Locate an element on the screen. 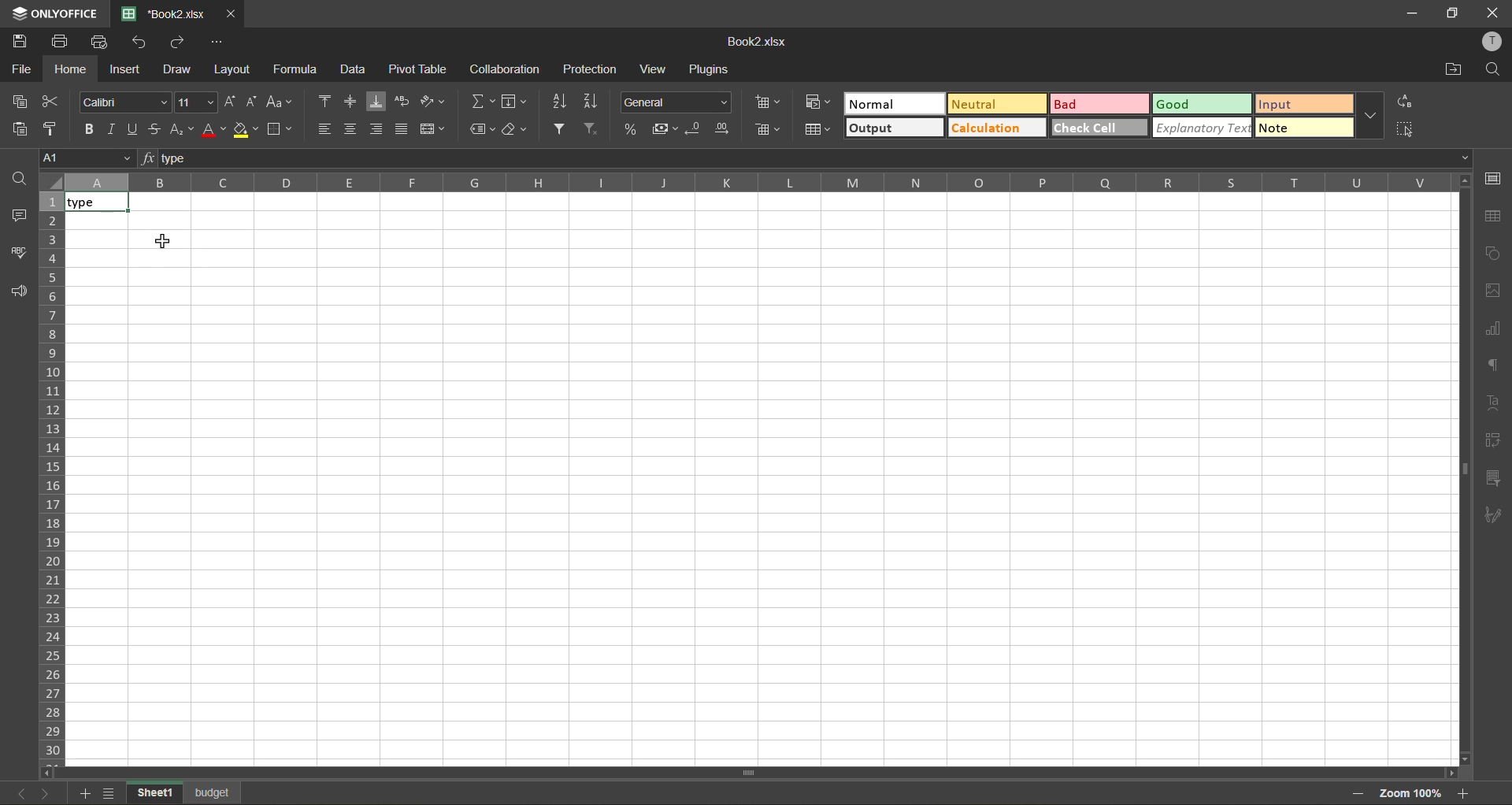  zoom in is located at coordinates (1466, 793).